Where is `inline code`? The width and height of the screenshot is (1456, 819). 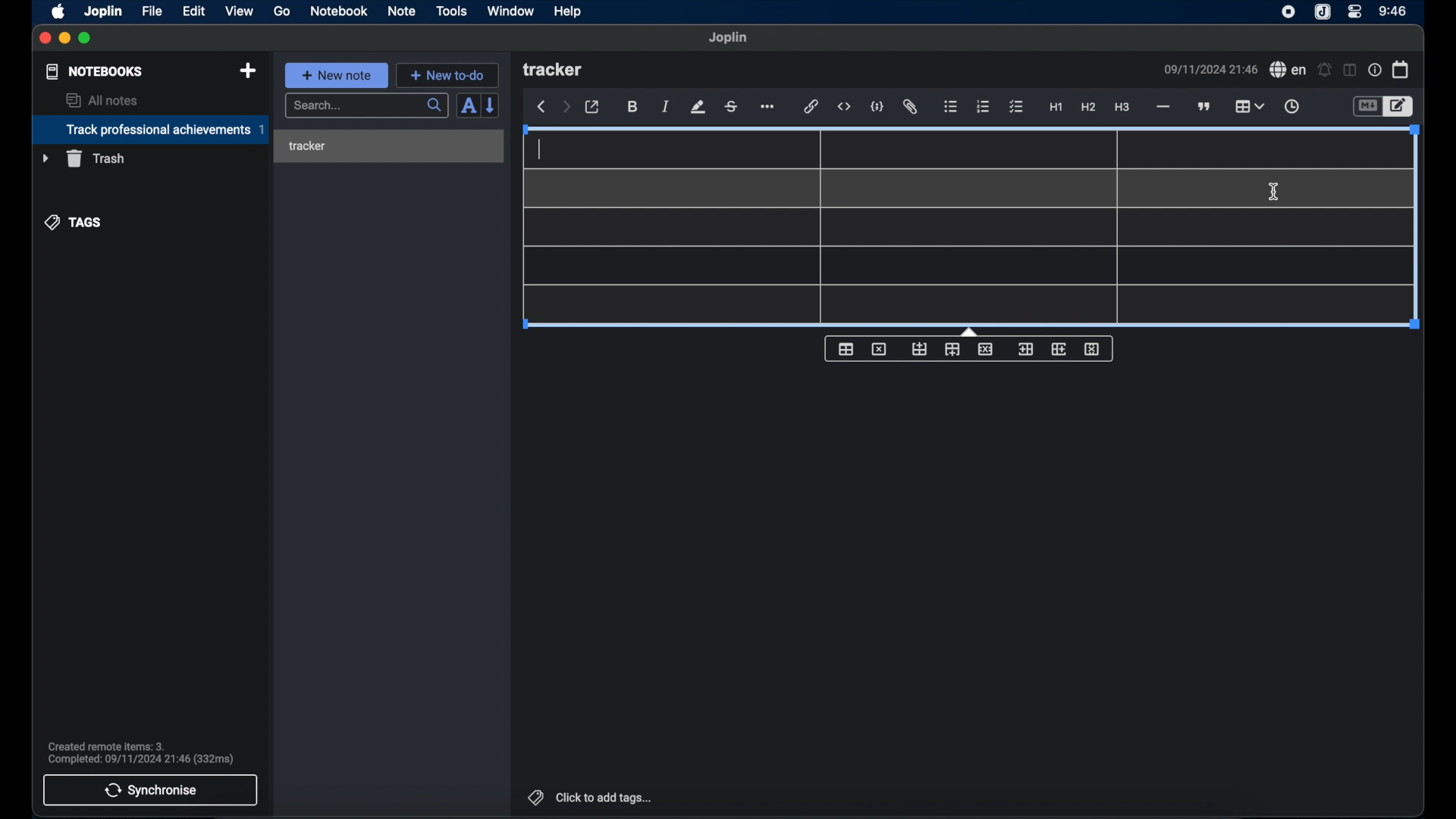
inline code is located at coordinates (844, 107).